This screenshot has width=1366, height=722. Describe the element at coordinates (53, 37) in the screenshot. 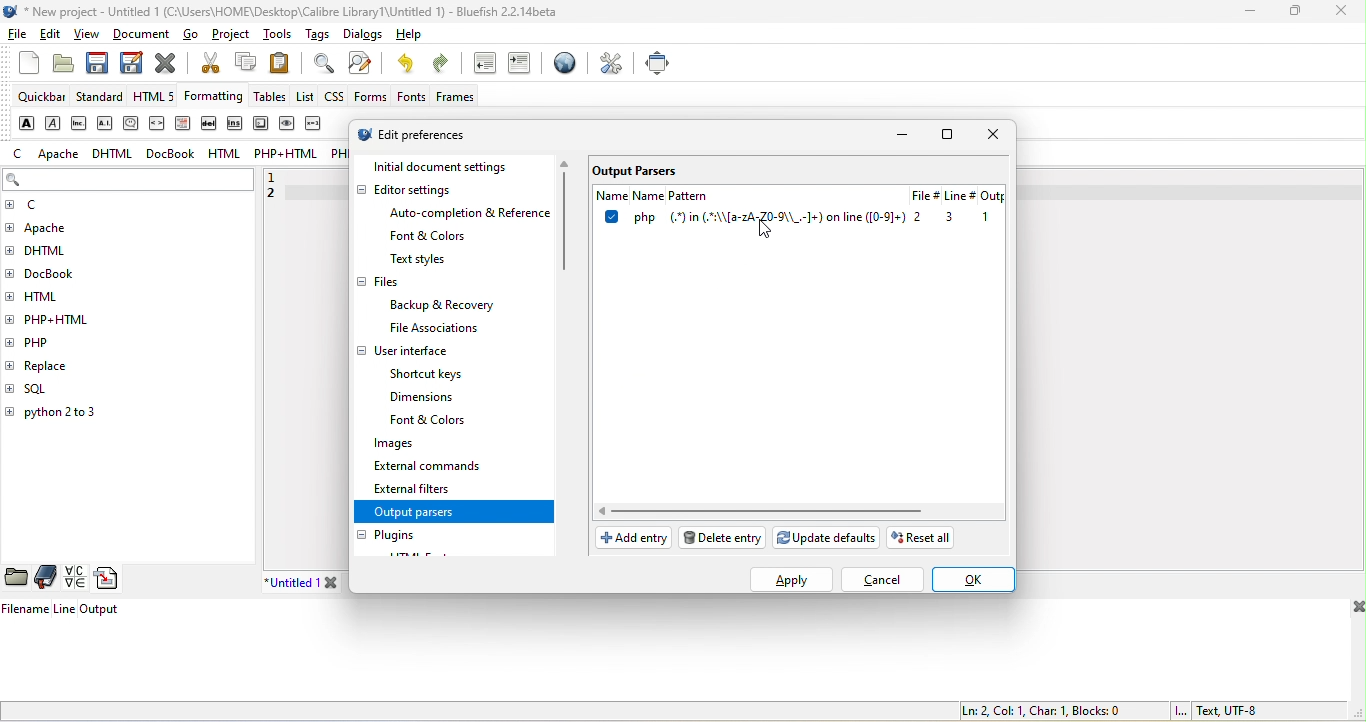

I see `edit` at that location.